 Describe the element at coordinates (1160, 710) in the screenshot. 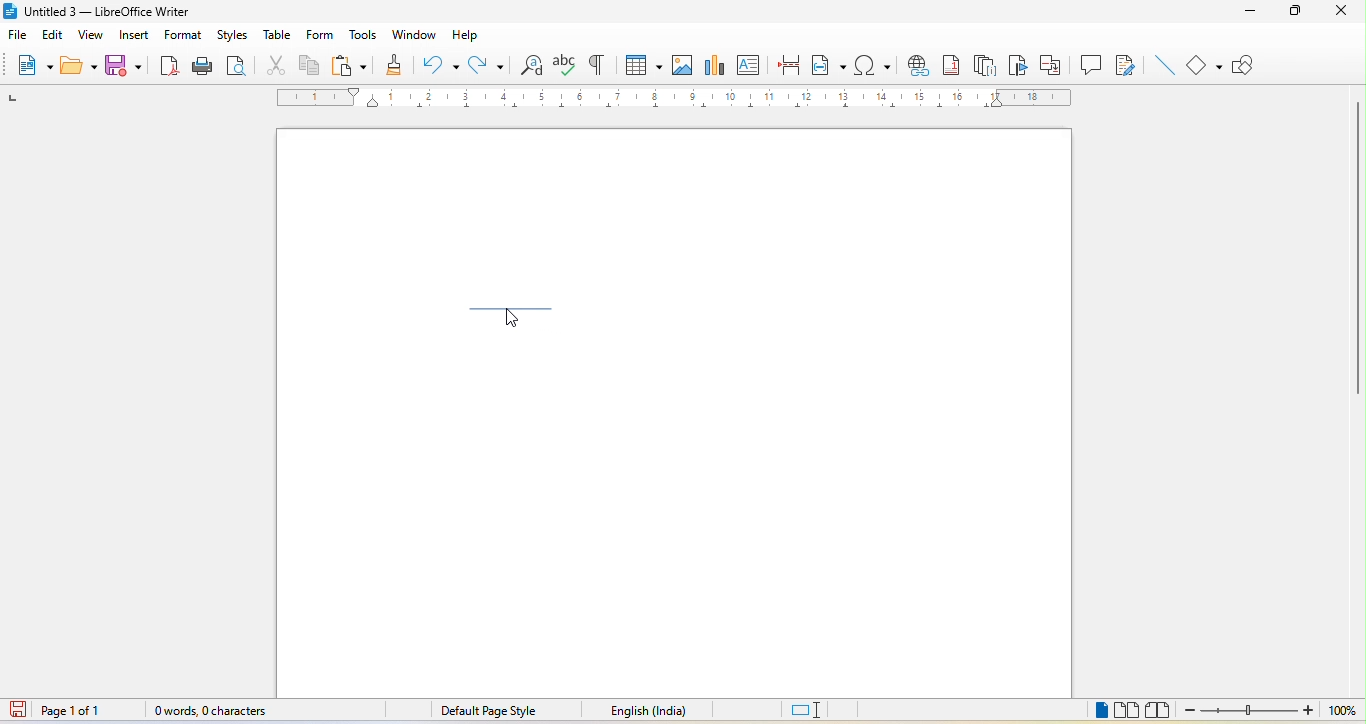

I see `book view` at that location.